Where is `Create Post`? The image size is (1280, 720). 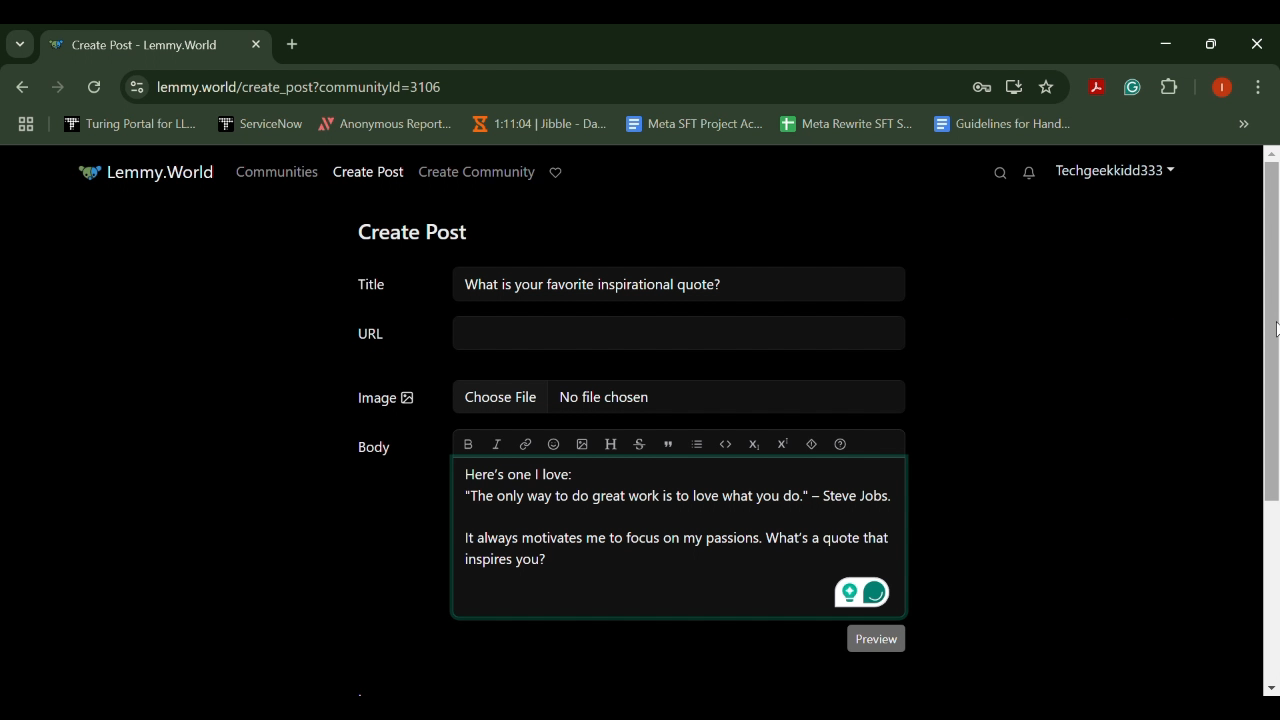 Create Post is located at coordinates (369, 173).